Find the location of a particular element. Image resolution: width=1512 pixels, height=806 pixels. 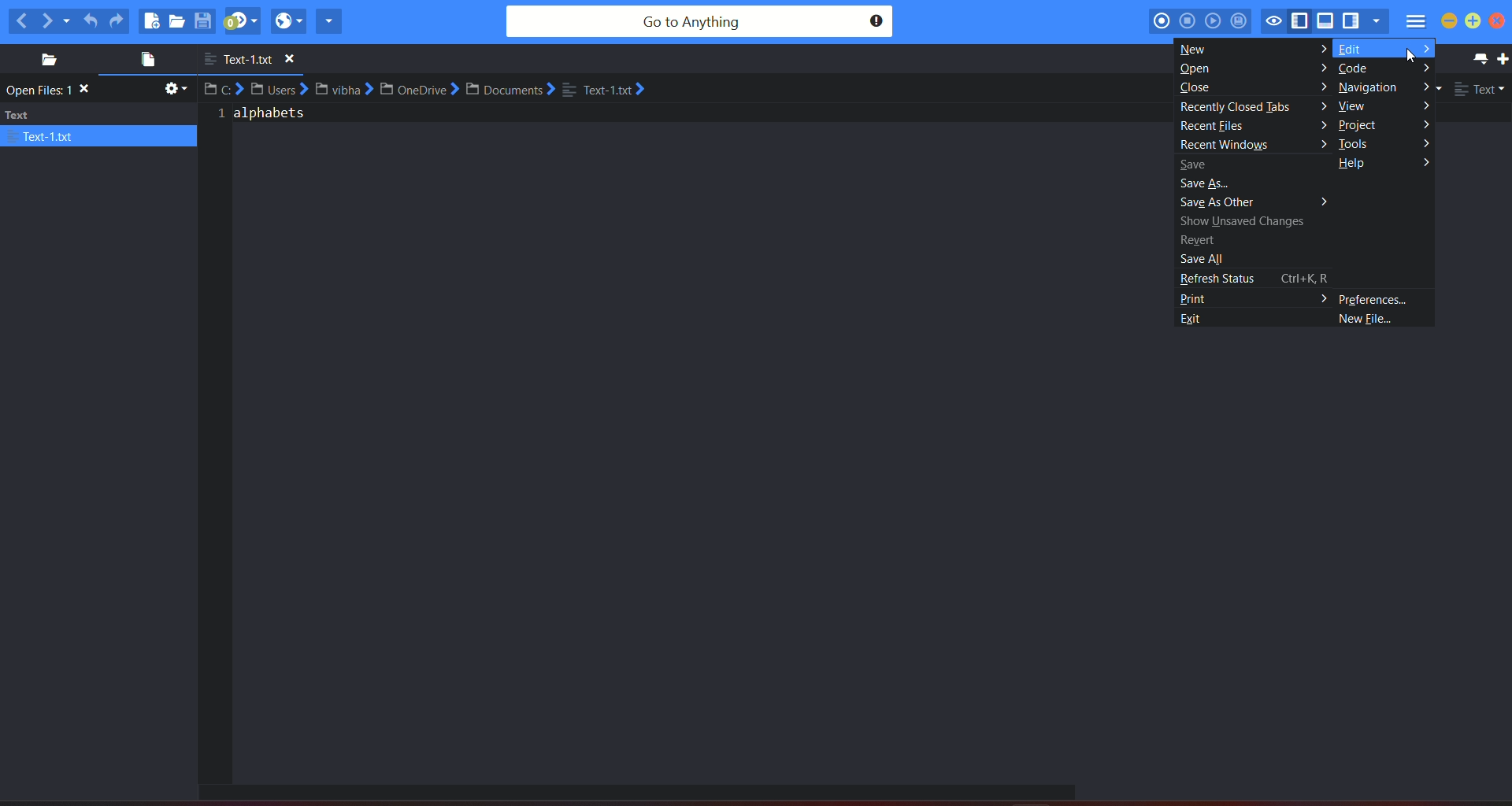

record macro is located at coordinates (1162, 20).